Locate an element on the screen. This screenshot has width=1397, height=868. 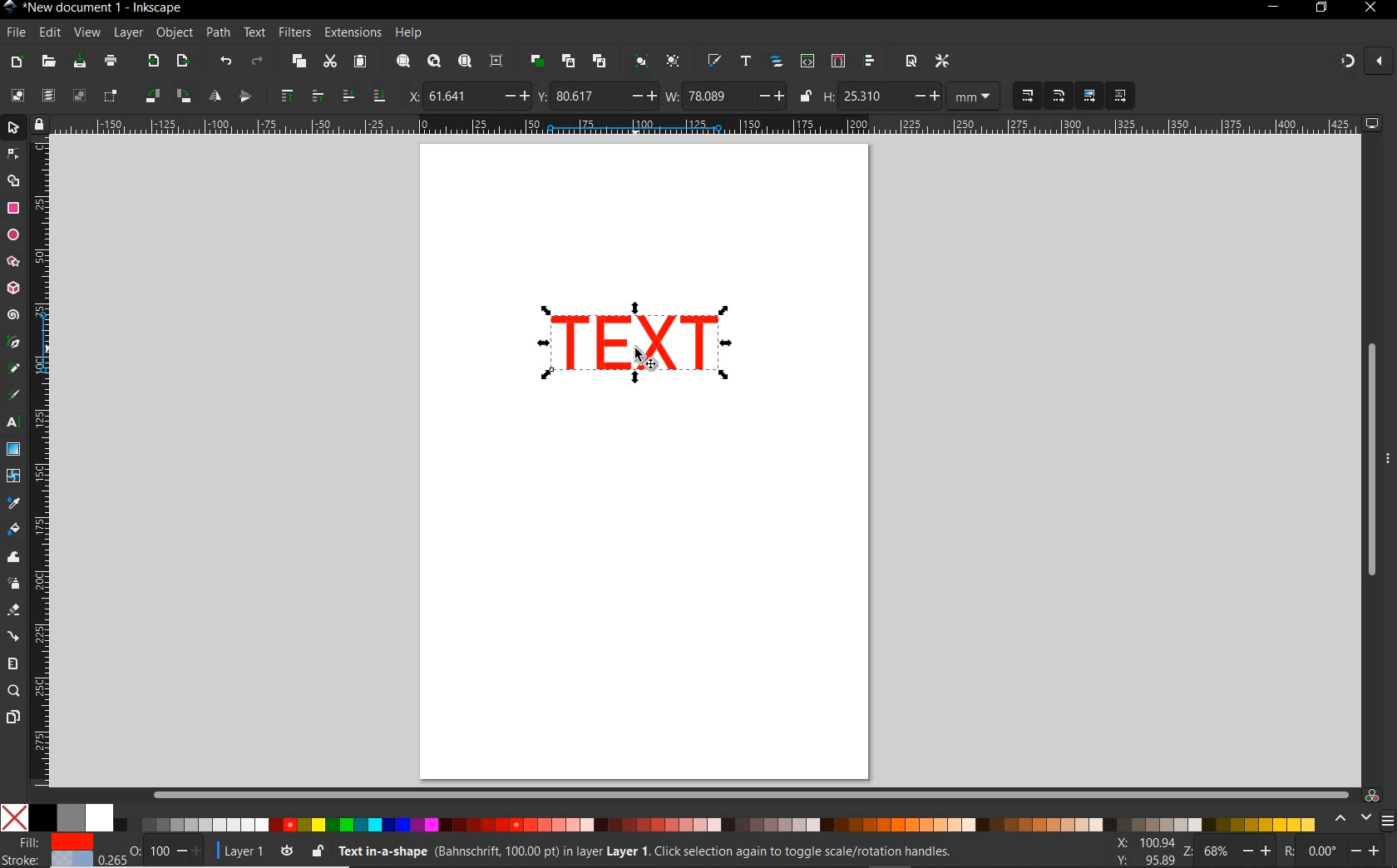
redo is located at coordinates (257, 61).